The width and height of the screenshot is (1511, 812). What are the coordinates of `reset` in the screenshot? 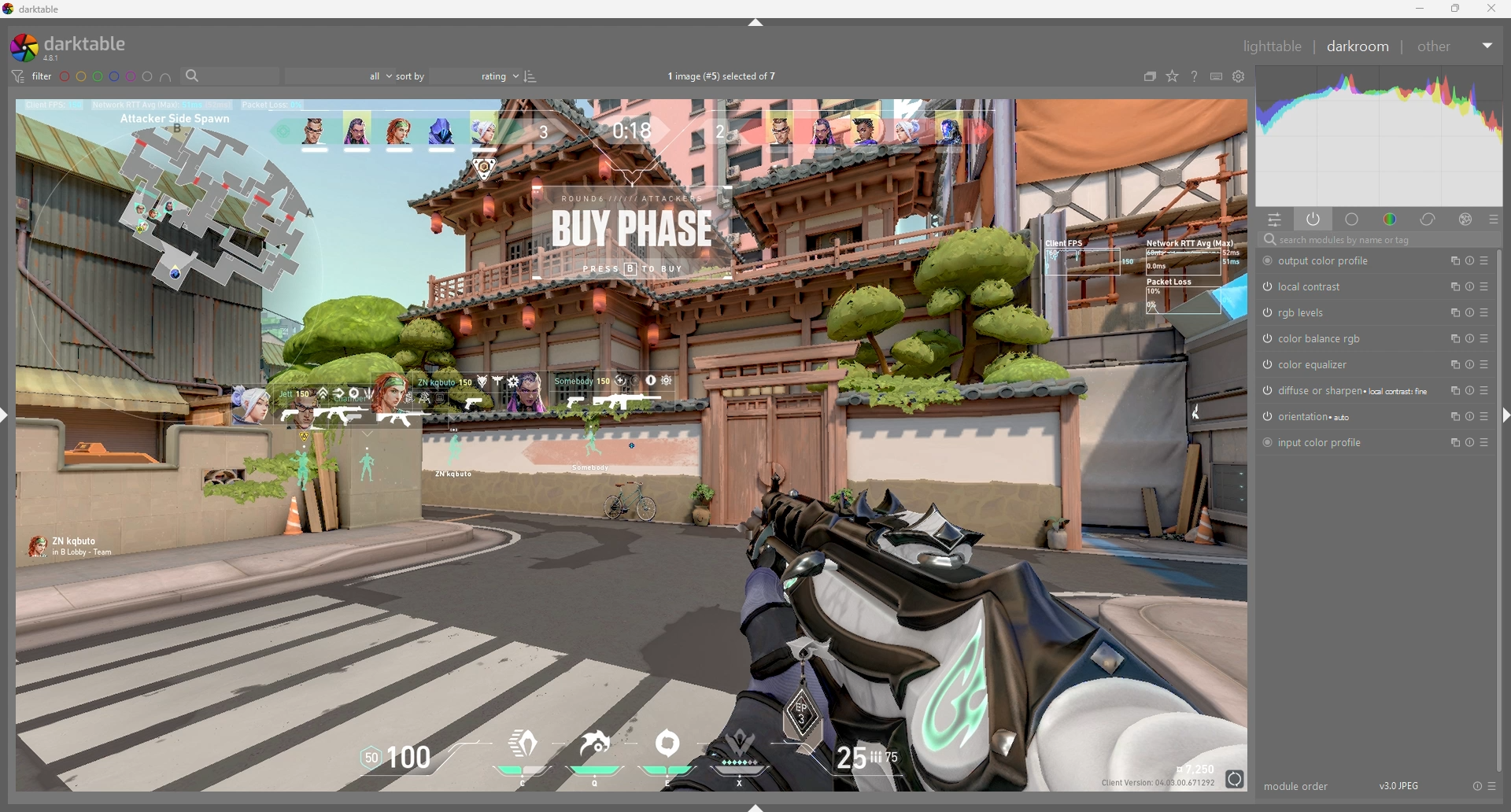 It's located at (1470, 288).